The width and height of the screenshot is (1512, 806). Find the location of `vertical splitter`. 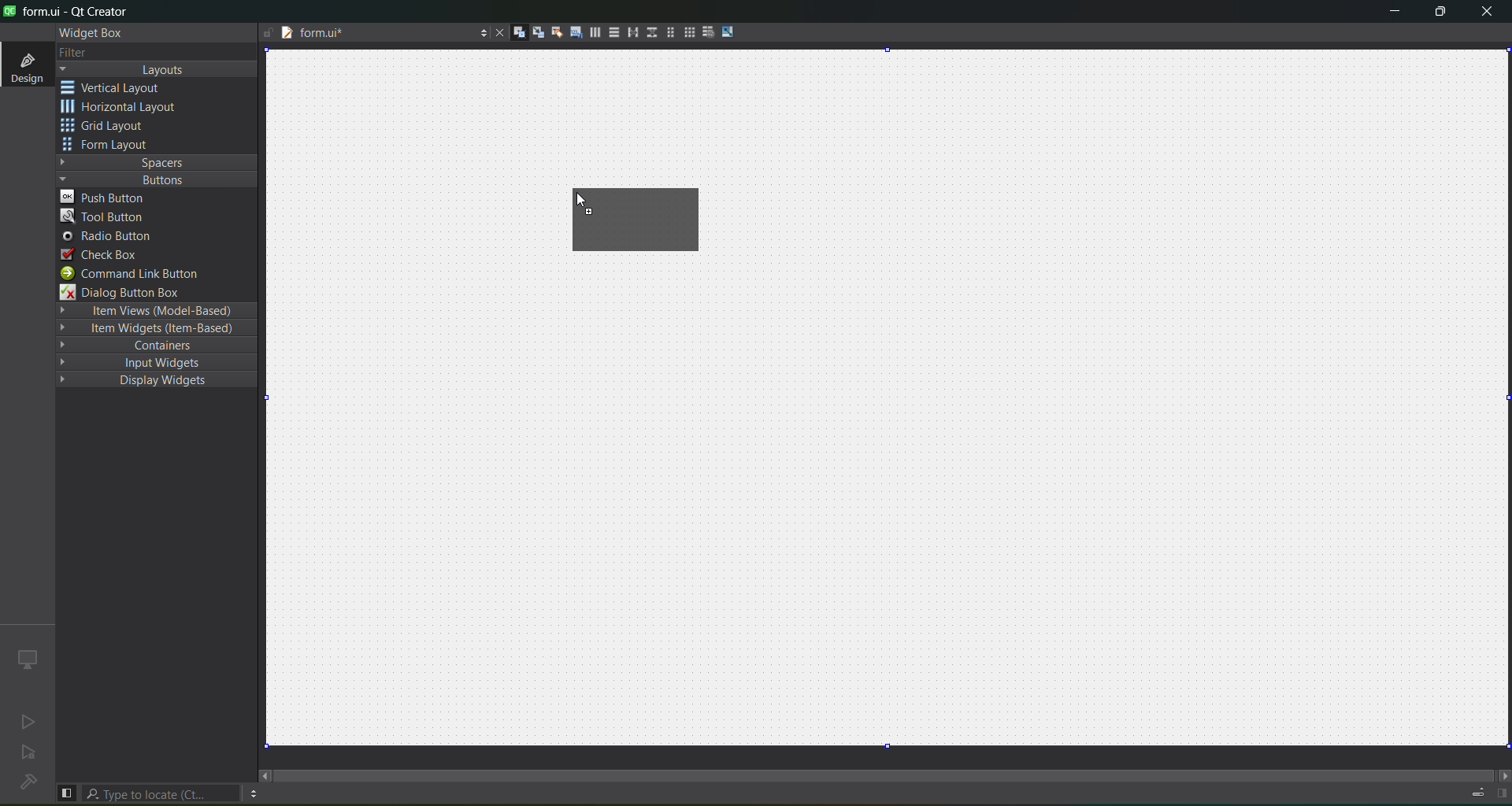

vertical splitter is located at coordinates (650, 31).